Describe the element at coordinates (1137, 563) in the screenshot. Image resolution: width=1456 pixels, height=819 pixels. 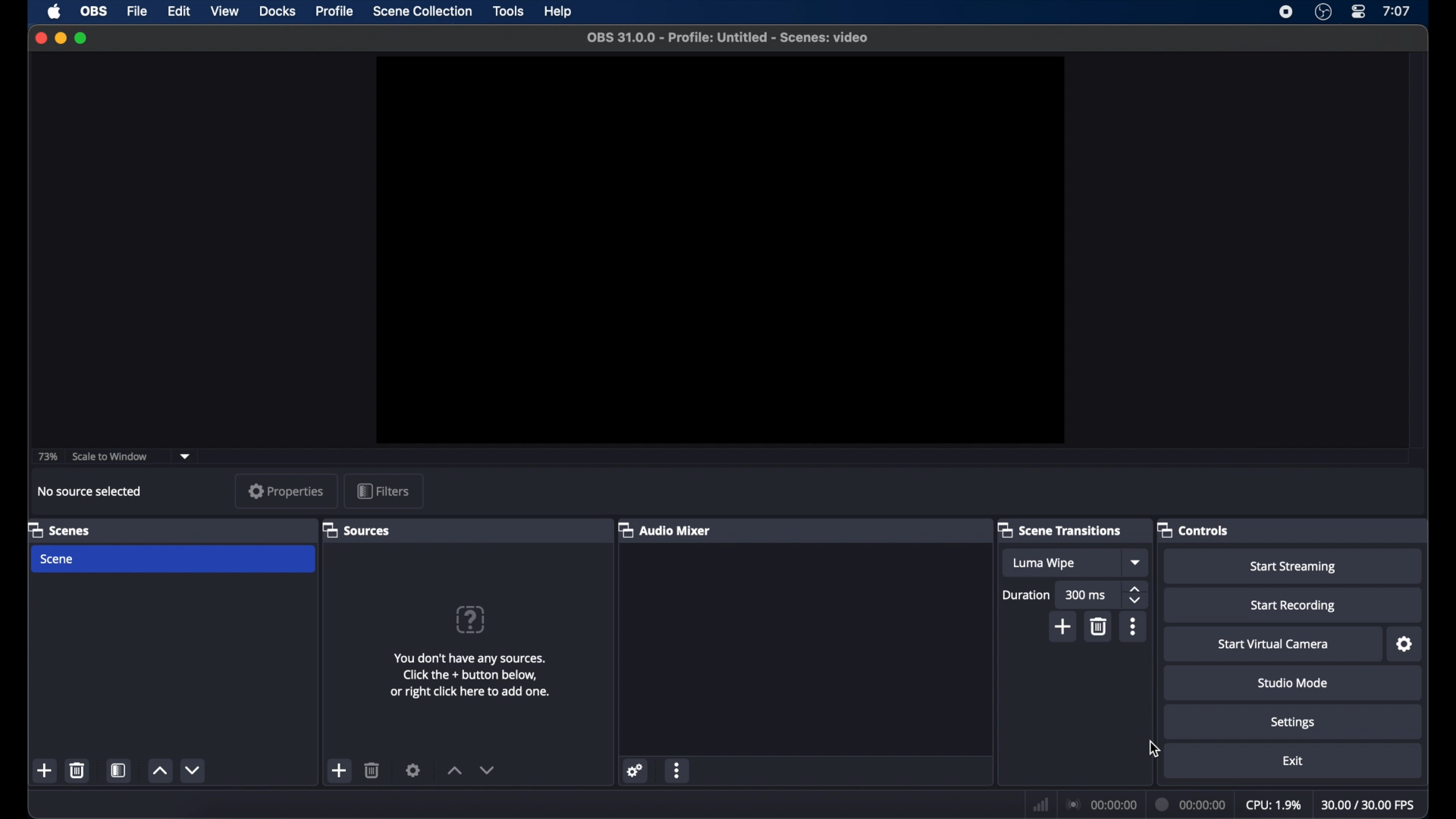
I see `dropdown` at that location.